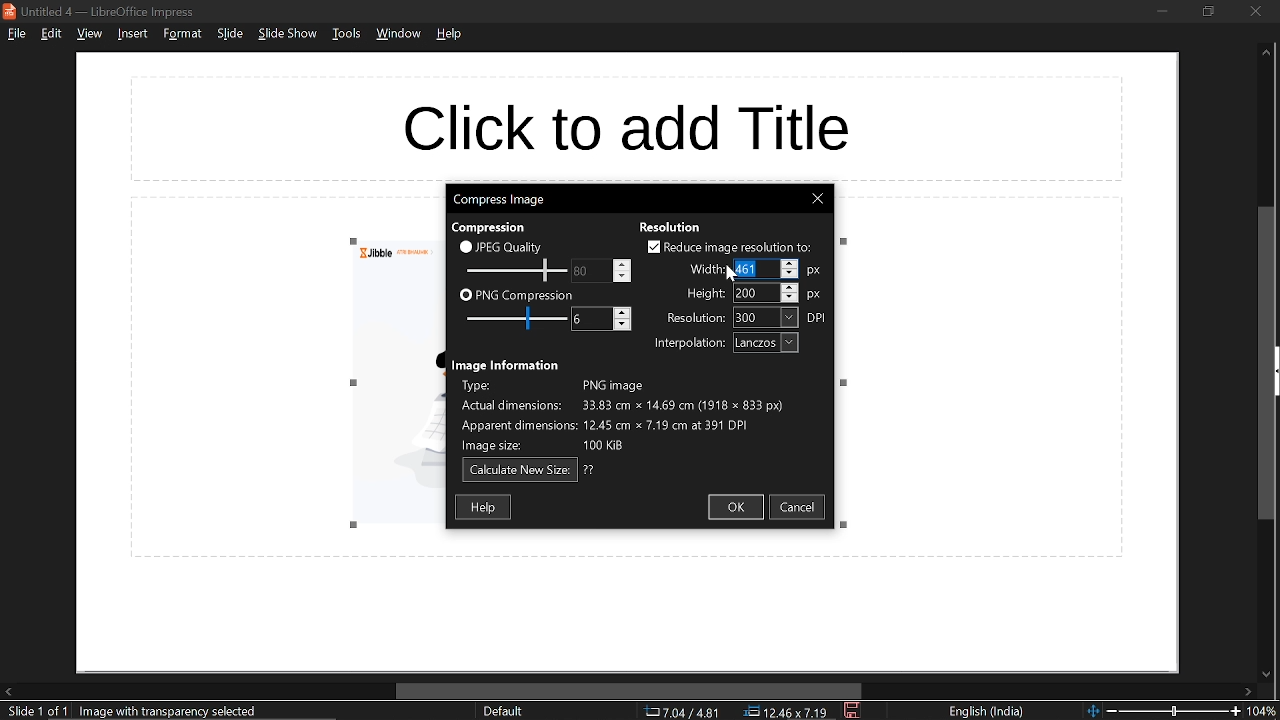 This screenshot has height=720, width=1280. Describe the element at coordinates (671, 225) in the screenshot. I see `text` at that location.